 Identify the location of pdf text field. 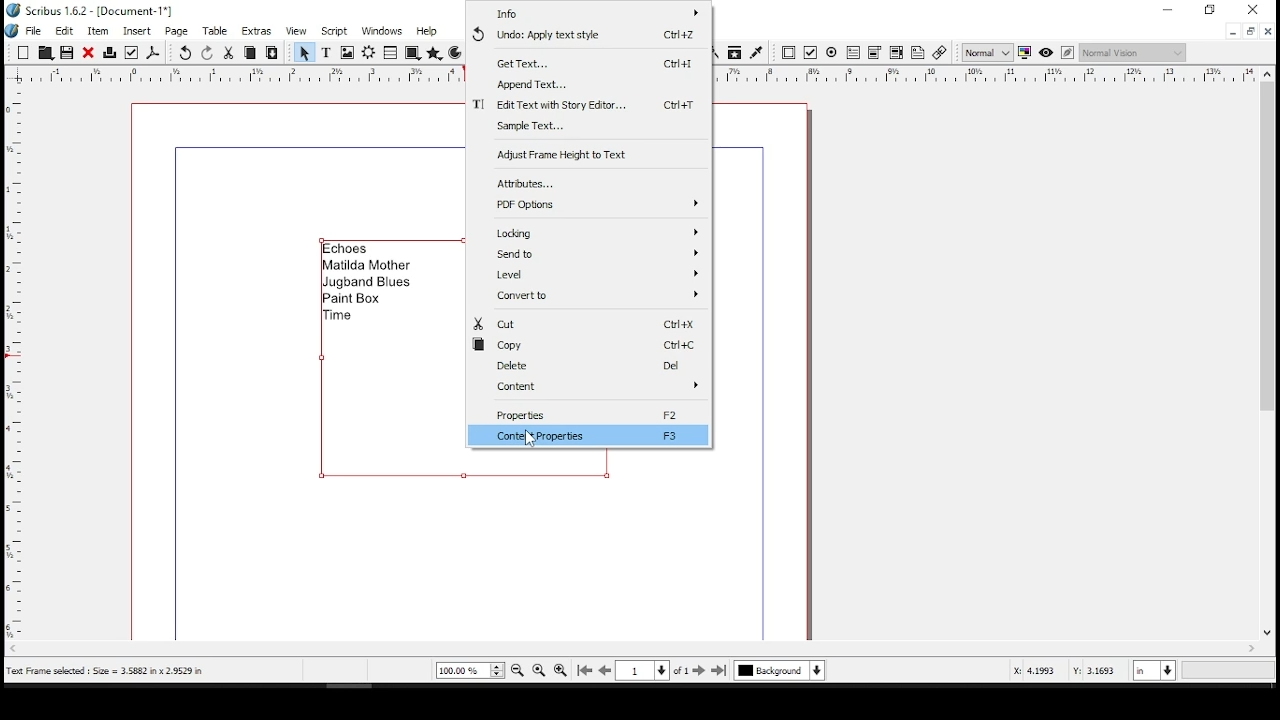
(853, 53).